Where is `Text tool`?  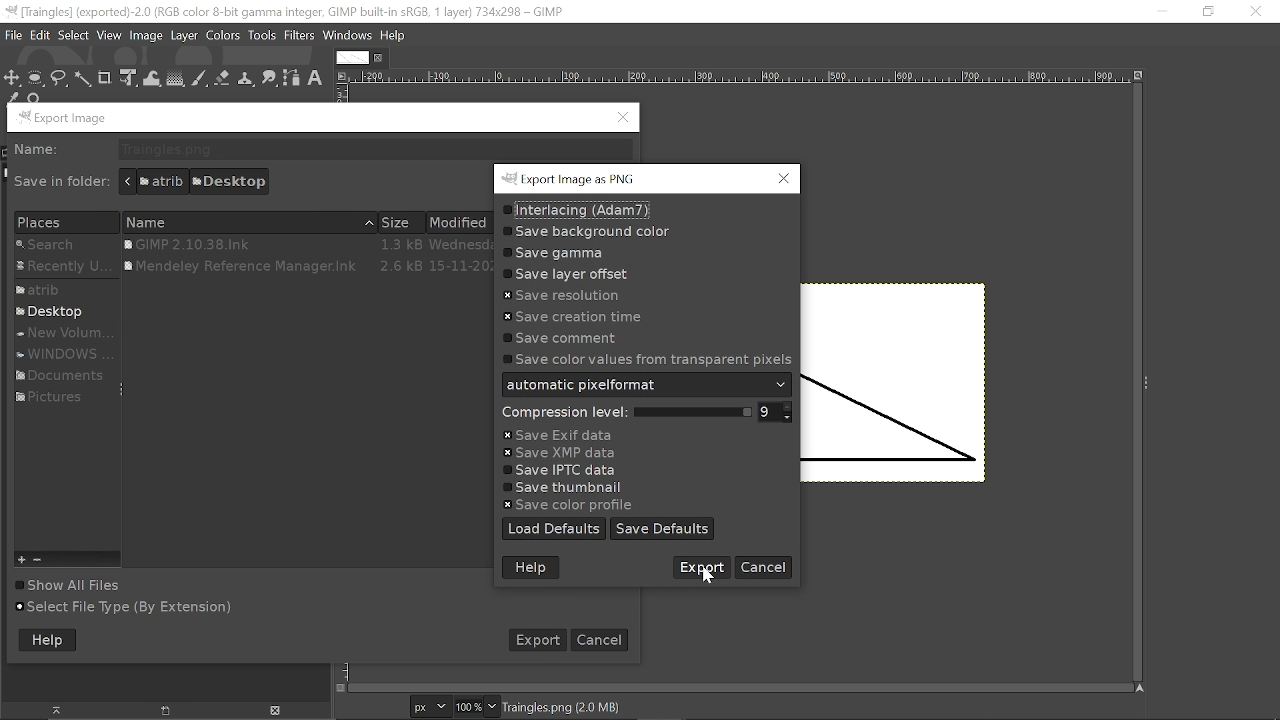
Text tool is located at coordinates (316, 79).